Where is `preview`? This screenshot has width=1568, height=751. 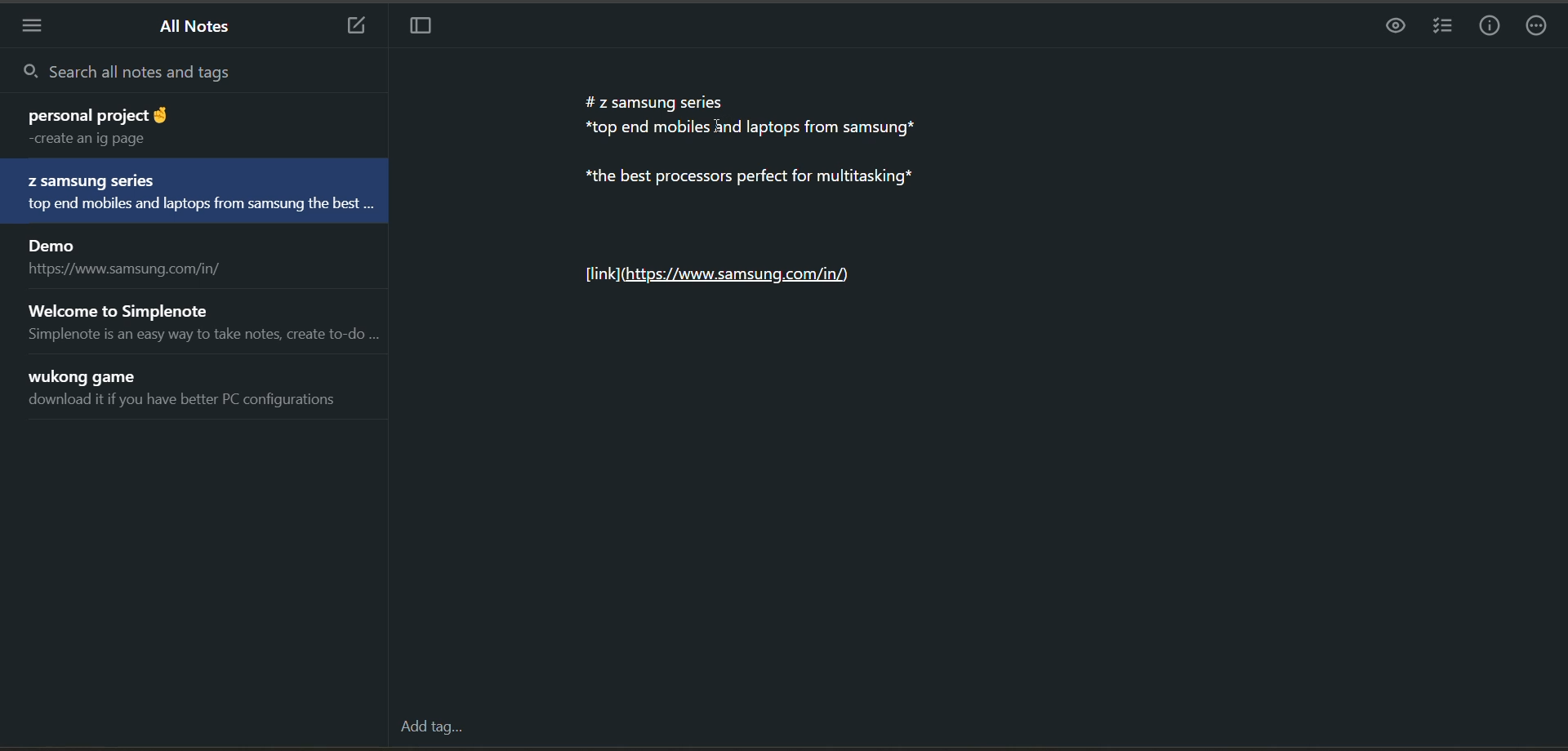
preview is located at coordinates (1389, 30).